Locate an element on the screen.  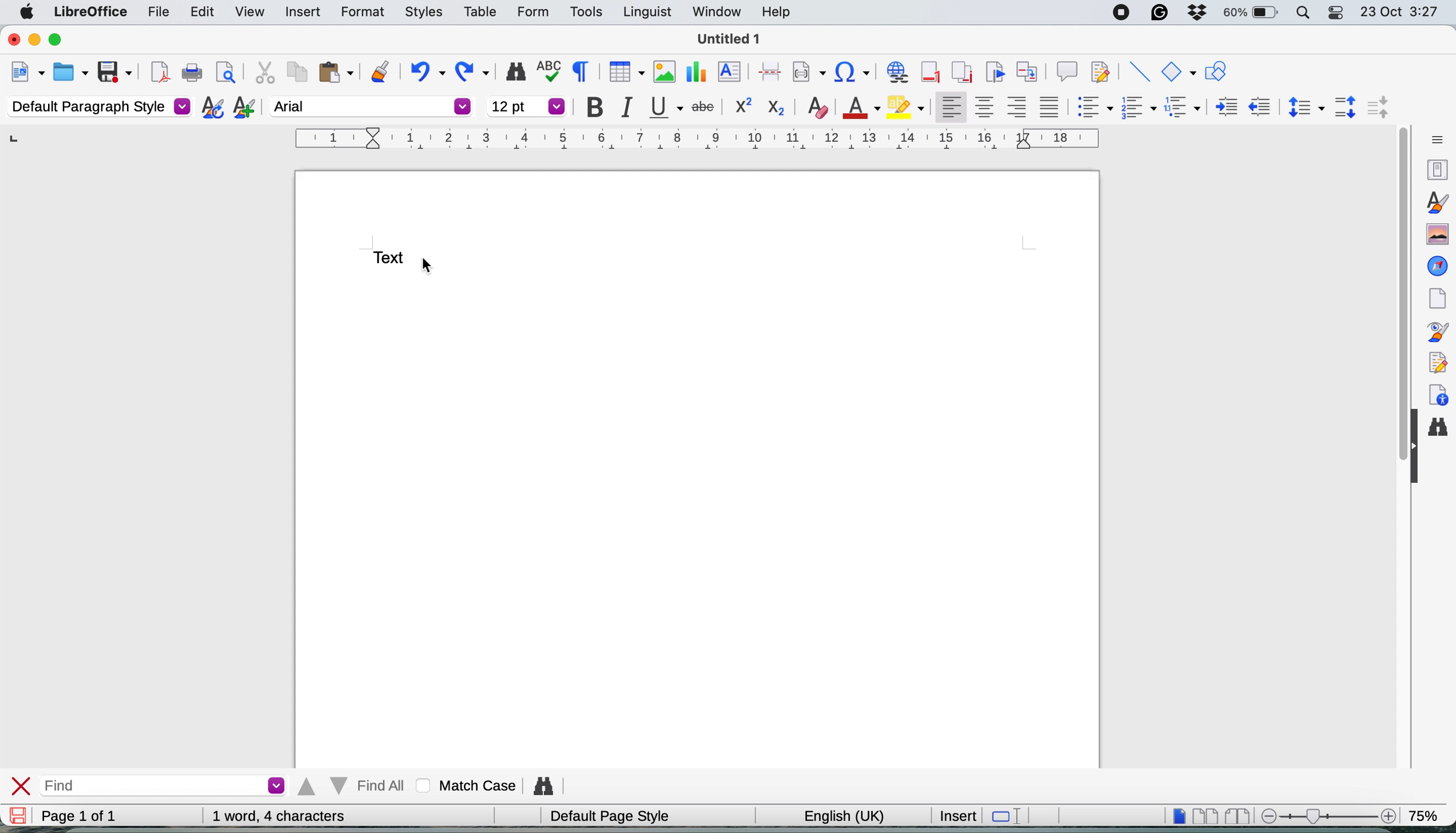
clone formatting is located at coordinates (379, 72).